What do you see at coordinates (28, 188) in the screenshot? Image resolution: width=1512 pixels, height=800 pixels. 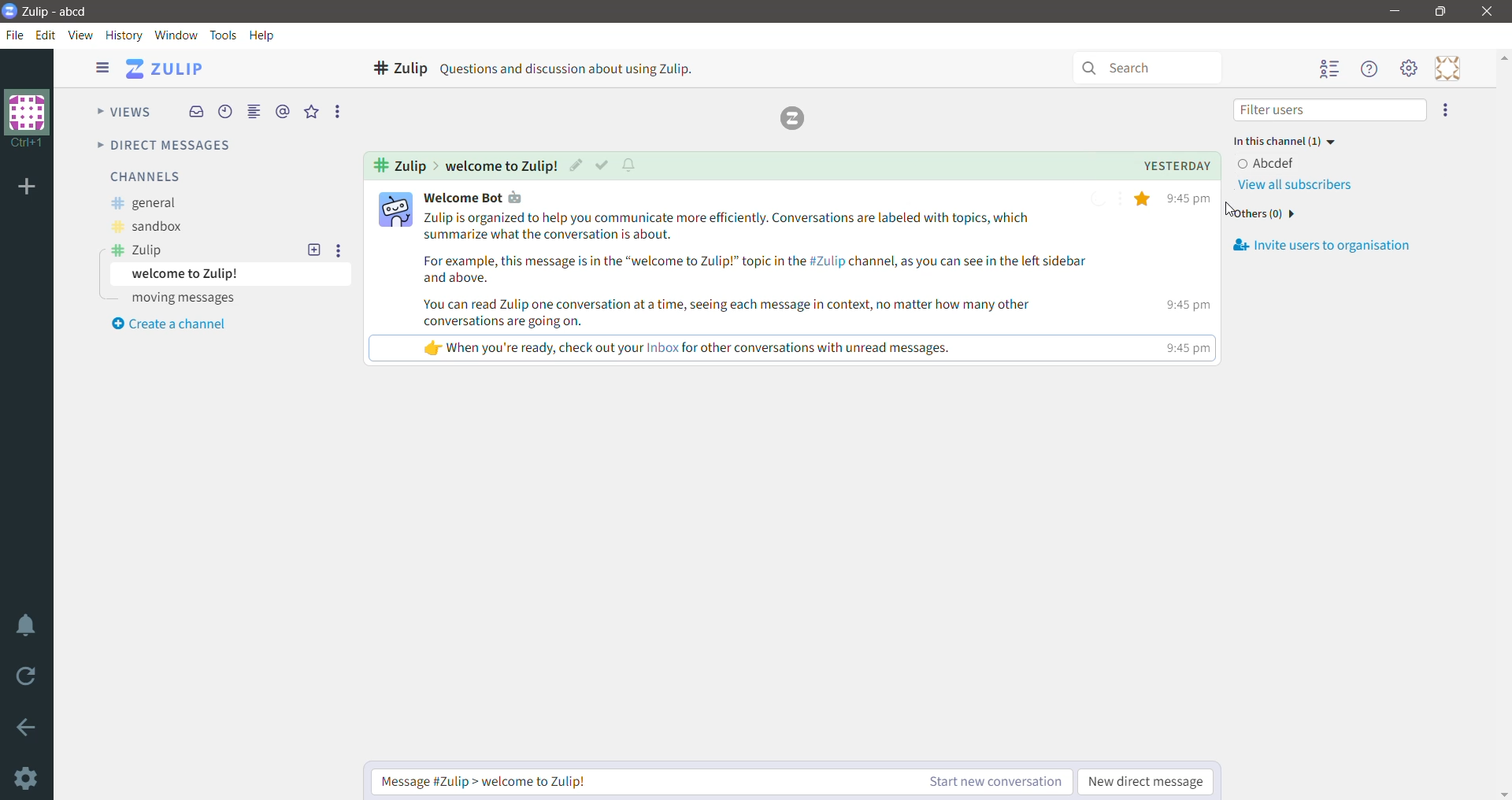 I see `Add Organization` at bounding box center [28, 188].